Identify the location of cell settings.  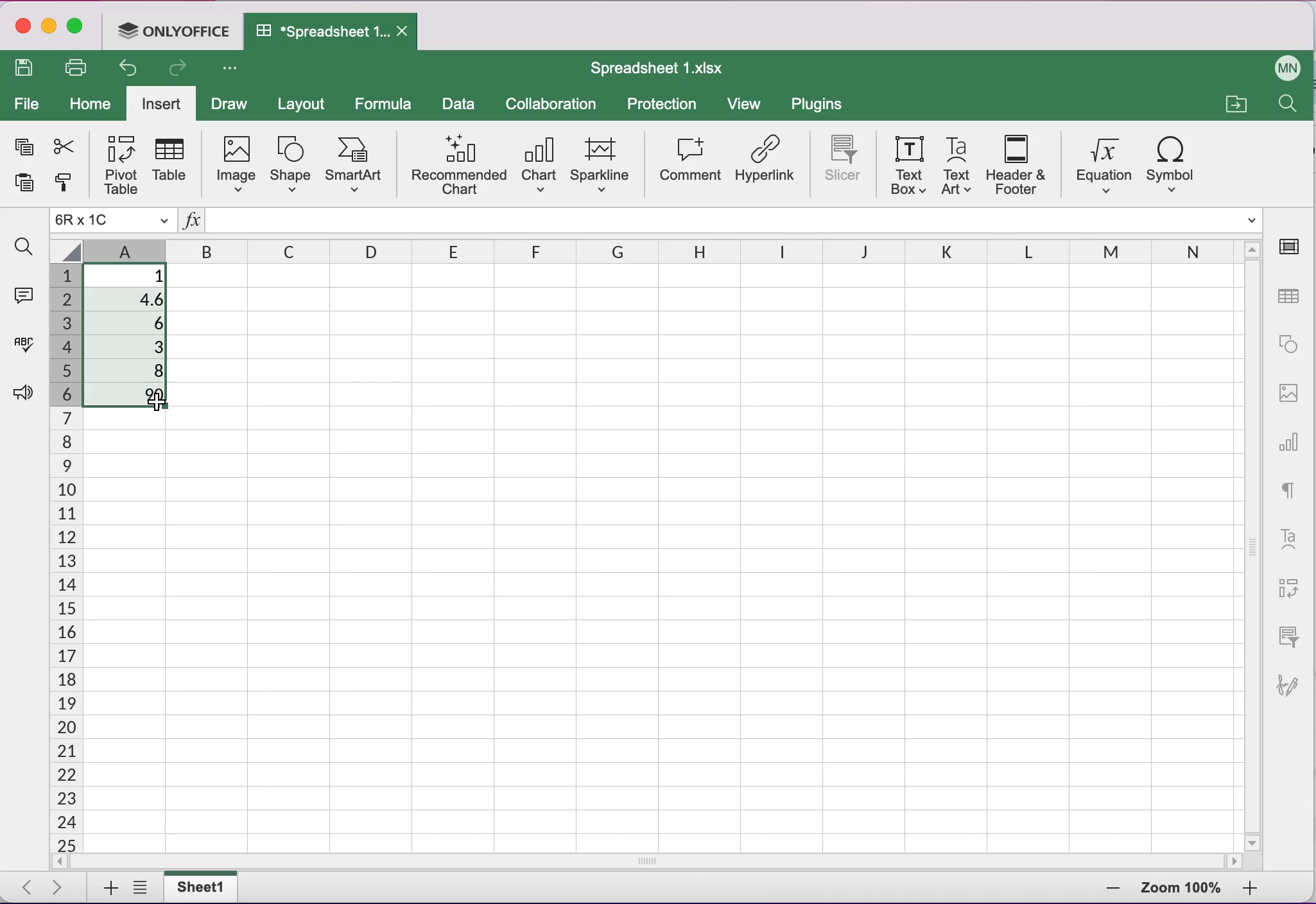
(1292, 248).